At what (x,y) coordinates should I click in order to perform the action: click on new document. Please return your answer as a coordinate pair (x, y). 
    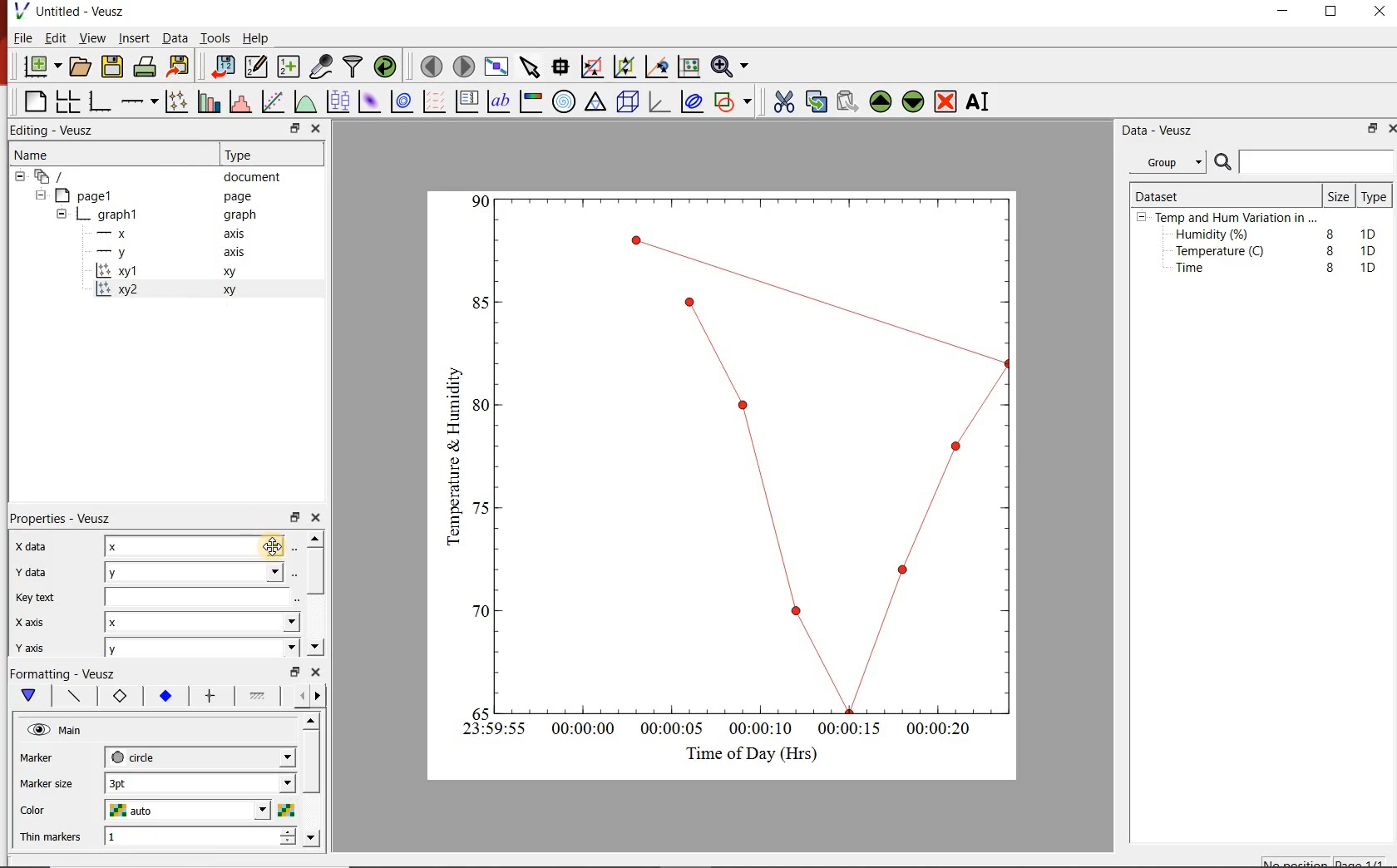
    Looking at the image, I should click on (41, 67).